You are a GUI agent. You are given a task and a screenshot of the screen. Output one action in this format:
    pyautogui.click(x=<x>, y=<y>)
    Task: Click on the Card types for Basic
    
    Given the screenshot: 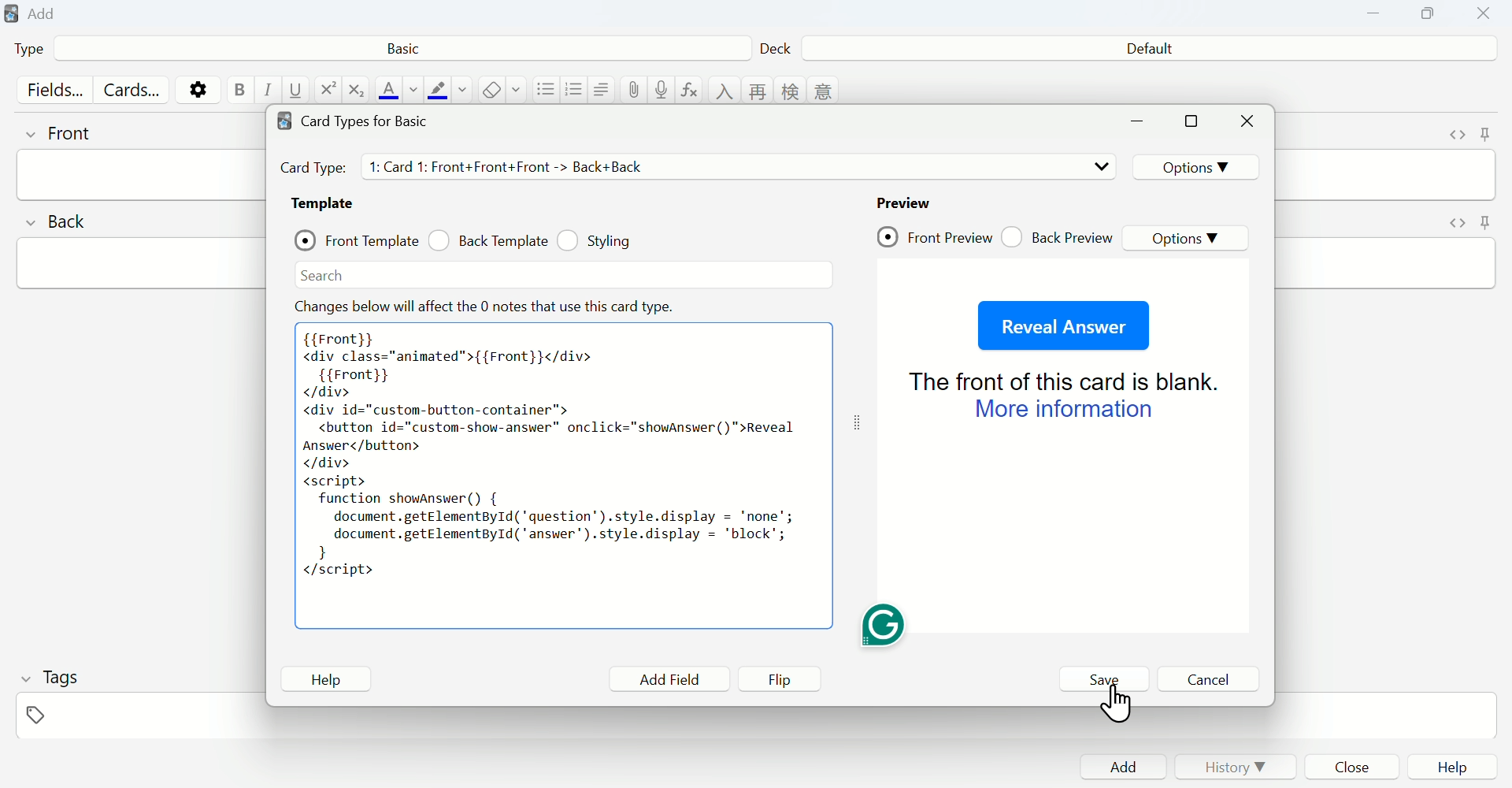 What is the action you would take?
    pyautogui.click(x=363, y=118)
    